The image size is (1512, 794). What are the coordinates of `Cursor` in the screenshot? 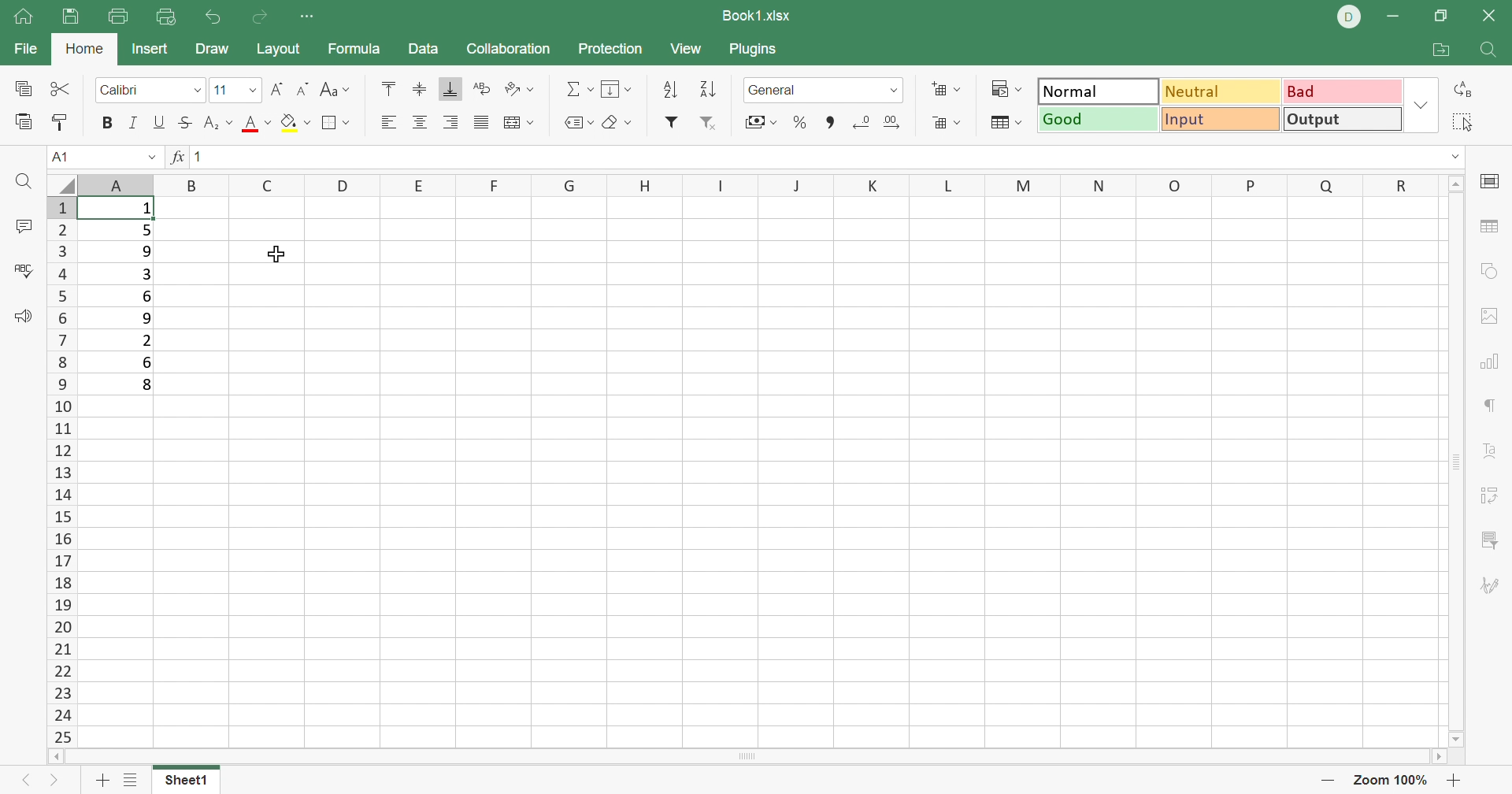 It's located at (273, 254).